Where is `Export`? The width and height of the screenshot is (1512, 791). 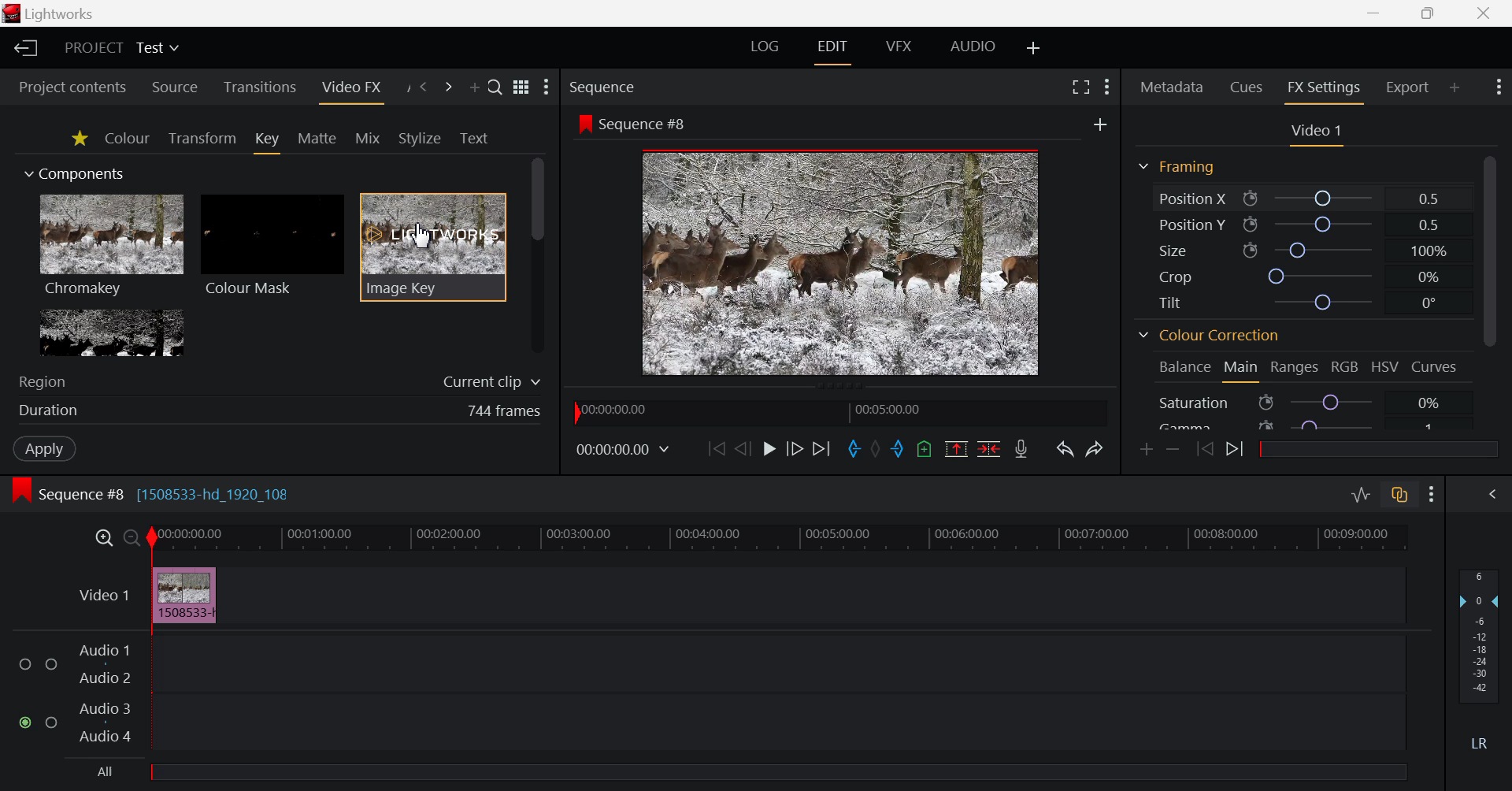 Export is located at coordinates (1405, 87).